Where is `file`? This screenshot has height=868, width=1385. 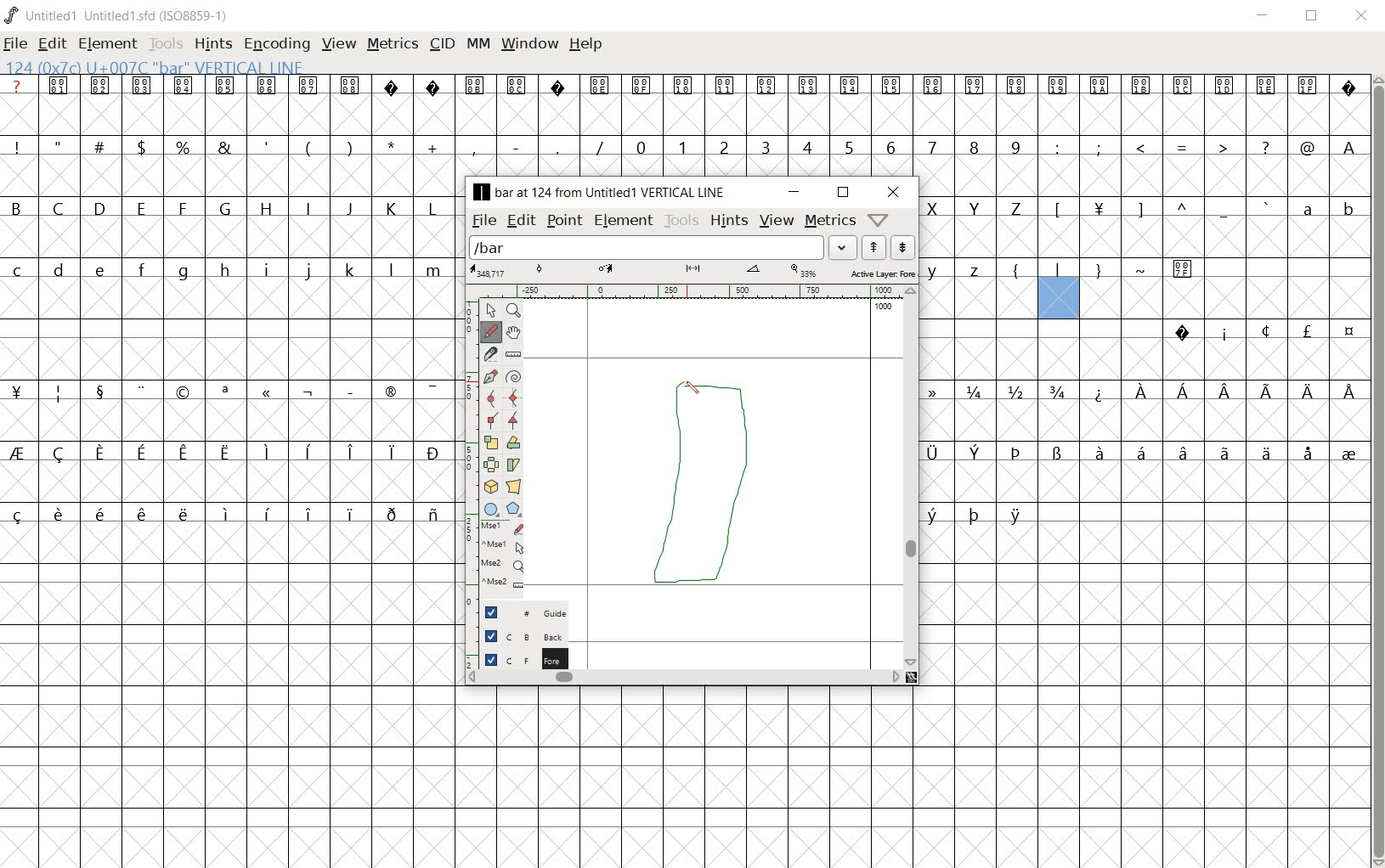 file is located at coordinates (483, 222).